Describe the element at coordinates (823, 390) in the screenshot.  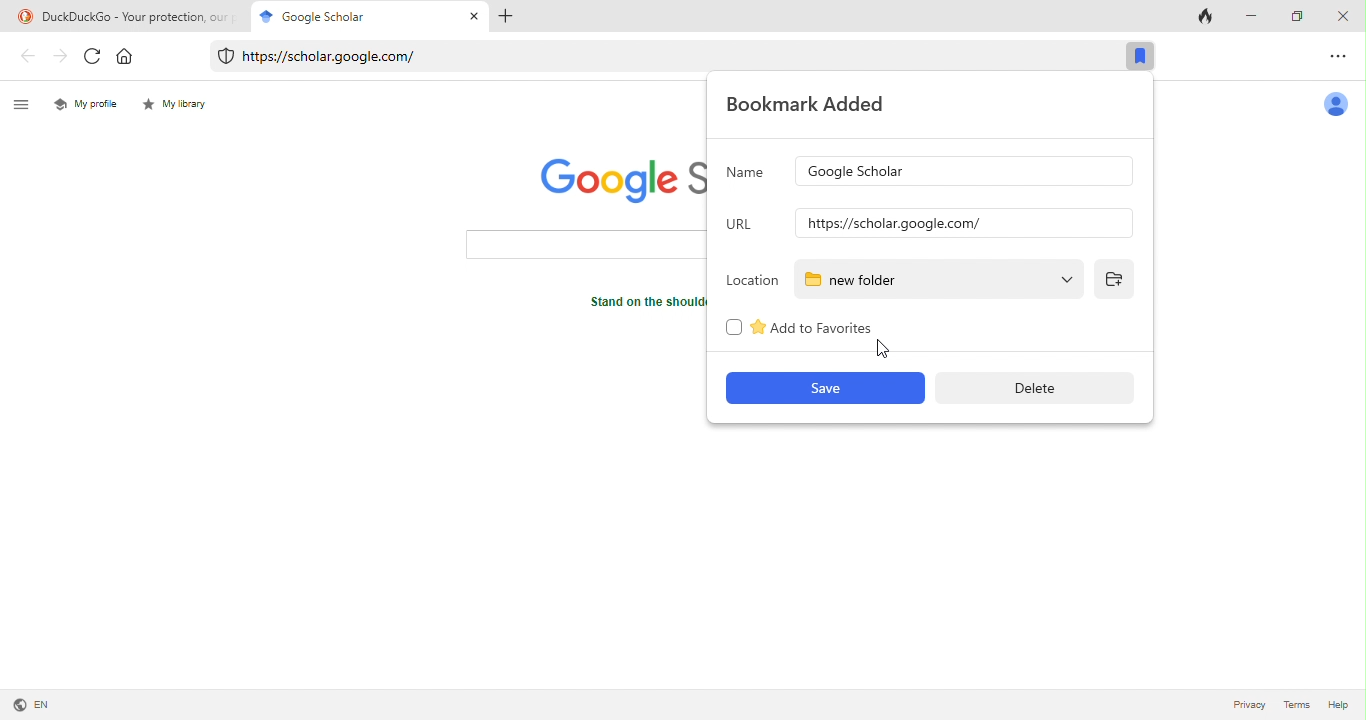
I see `save` at that location.